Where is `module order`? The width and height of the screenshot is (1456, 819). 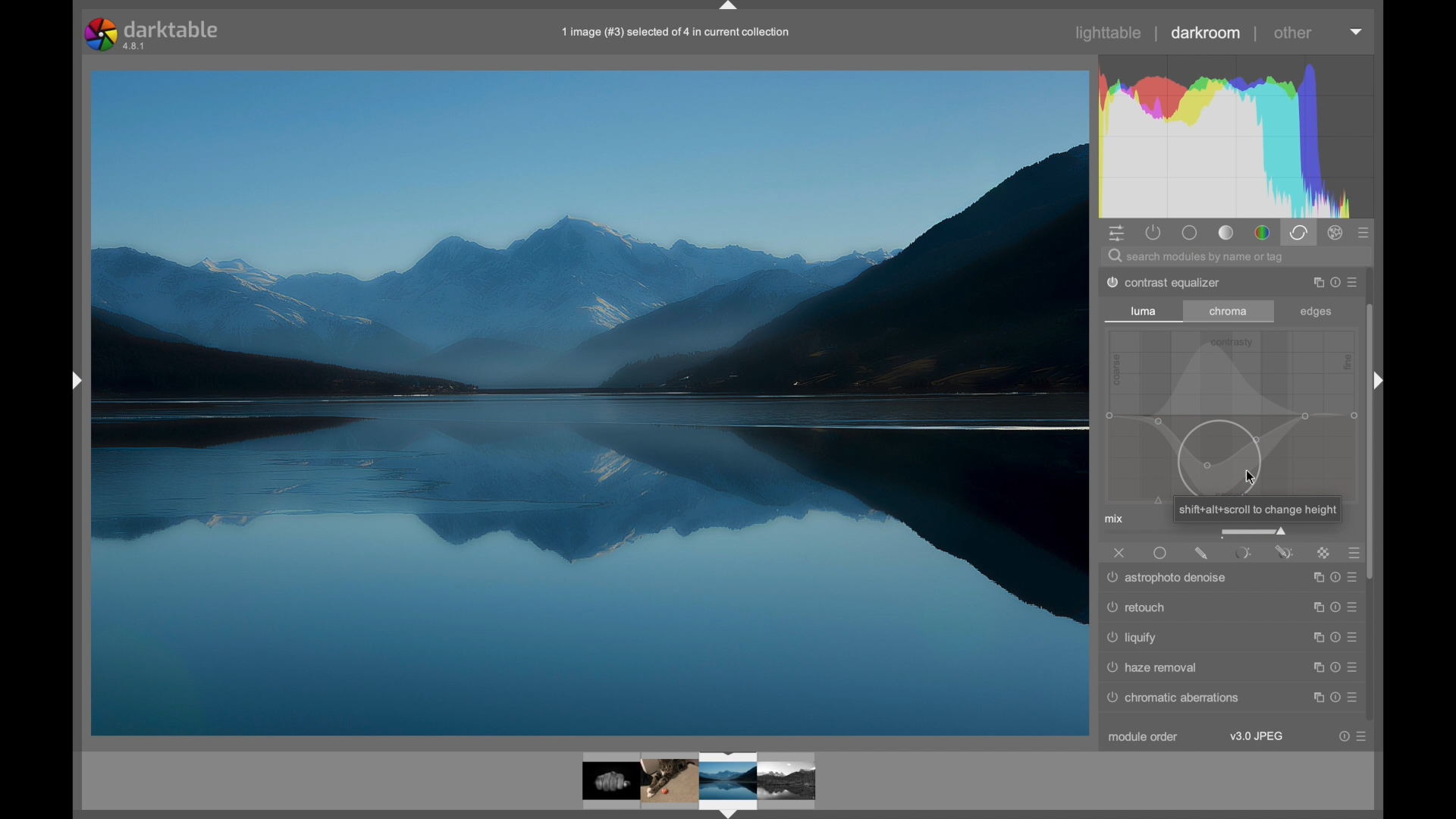 module order is located at coordinates (1145, 738).